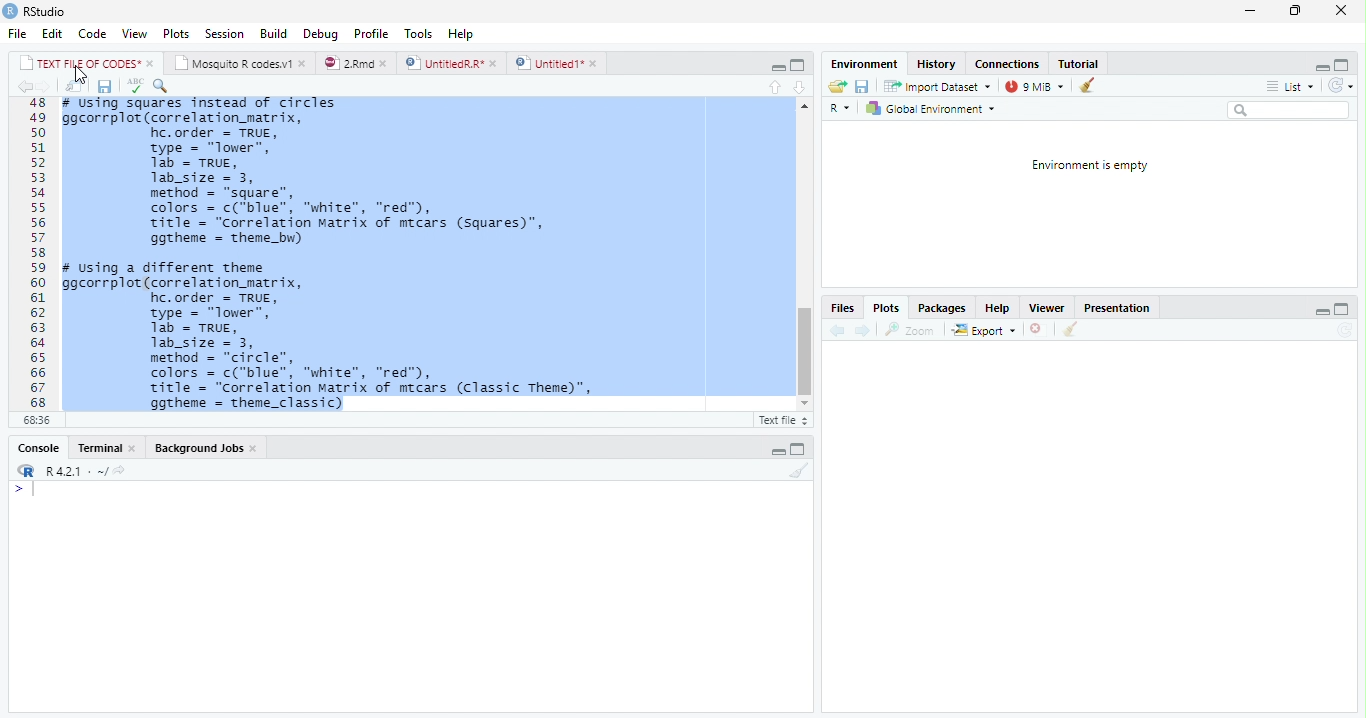 This screenshot has height=718, width=1366. Describe the element at coordinates (864, 87) in the screenshot. I see `save` at that location.